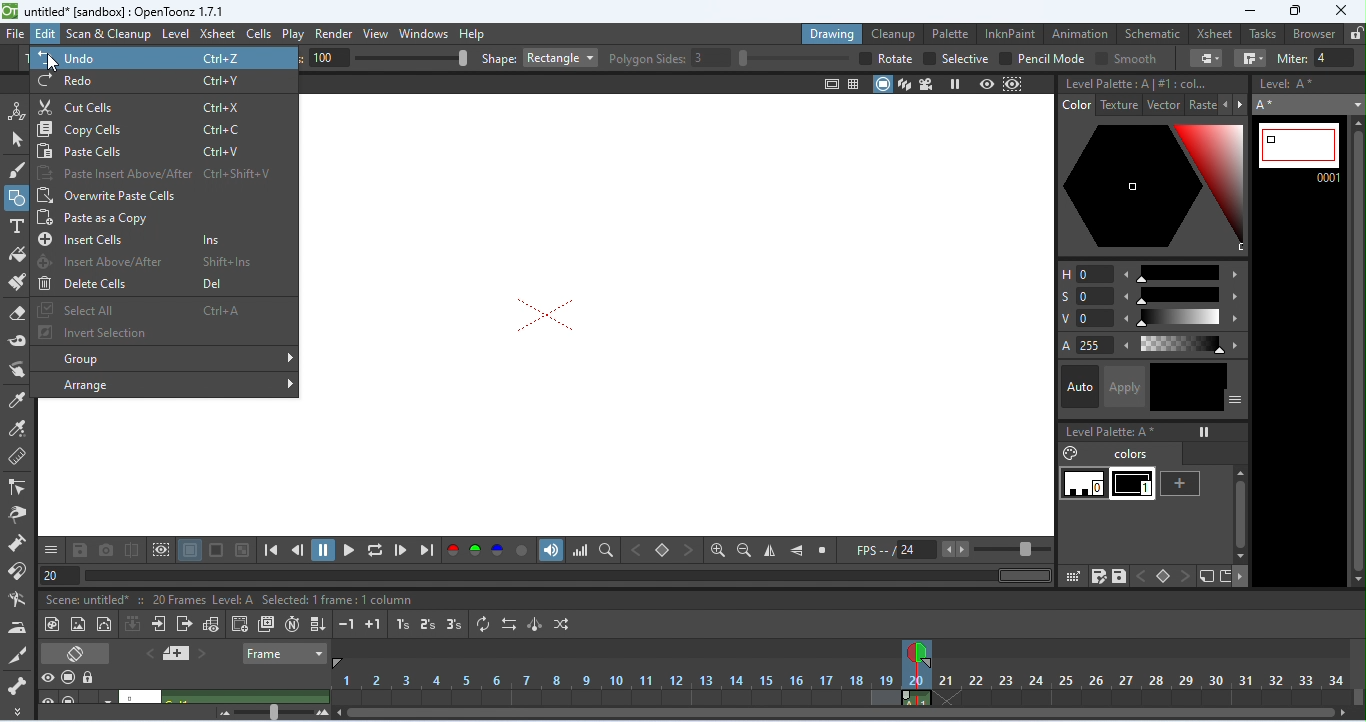 Image resolution: width=1366 pixels, height=722 pixels. What do you see at coordinates (243, 697) in the screenshot?
I see `click to select column` at bounding box center [243, 697].